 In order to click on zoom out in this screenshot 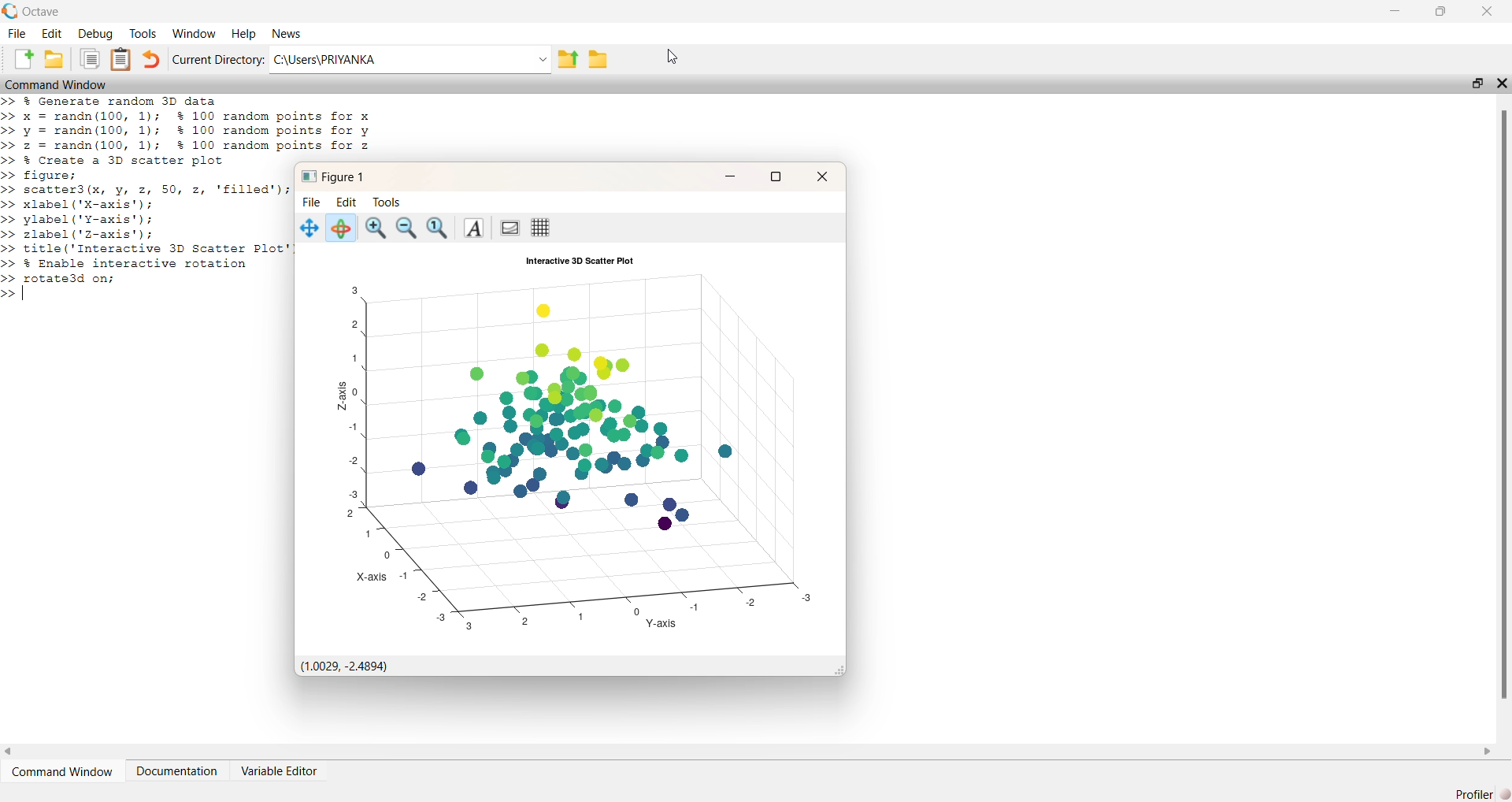, I will do `click(408, 229)`.